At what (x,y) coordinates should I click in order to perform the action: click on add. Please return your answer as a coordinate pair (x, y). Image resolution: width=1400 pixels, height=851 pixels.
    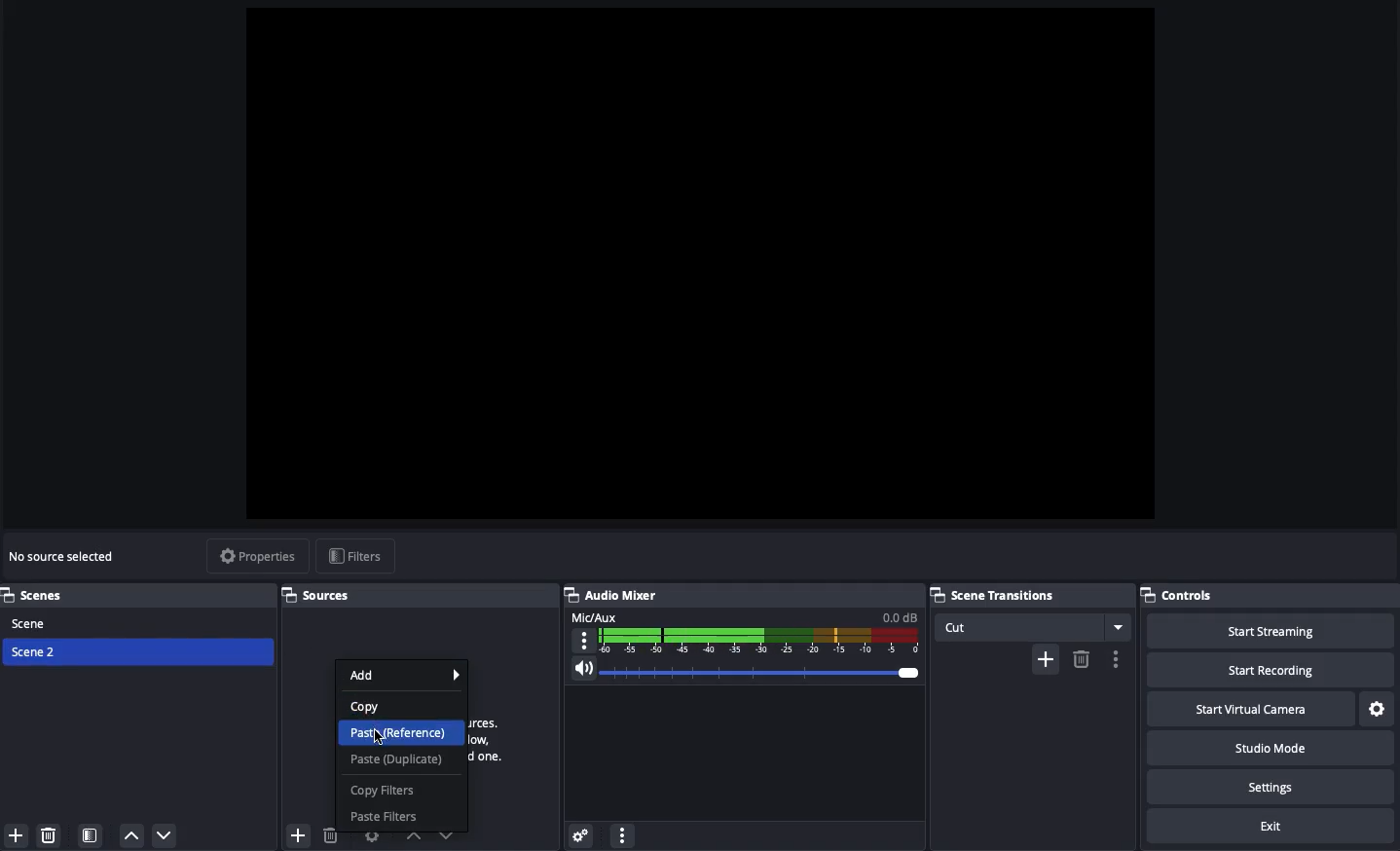
    Looking at the image, I should click on (293, 833).